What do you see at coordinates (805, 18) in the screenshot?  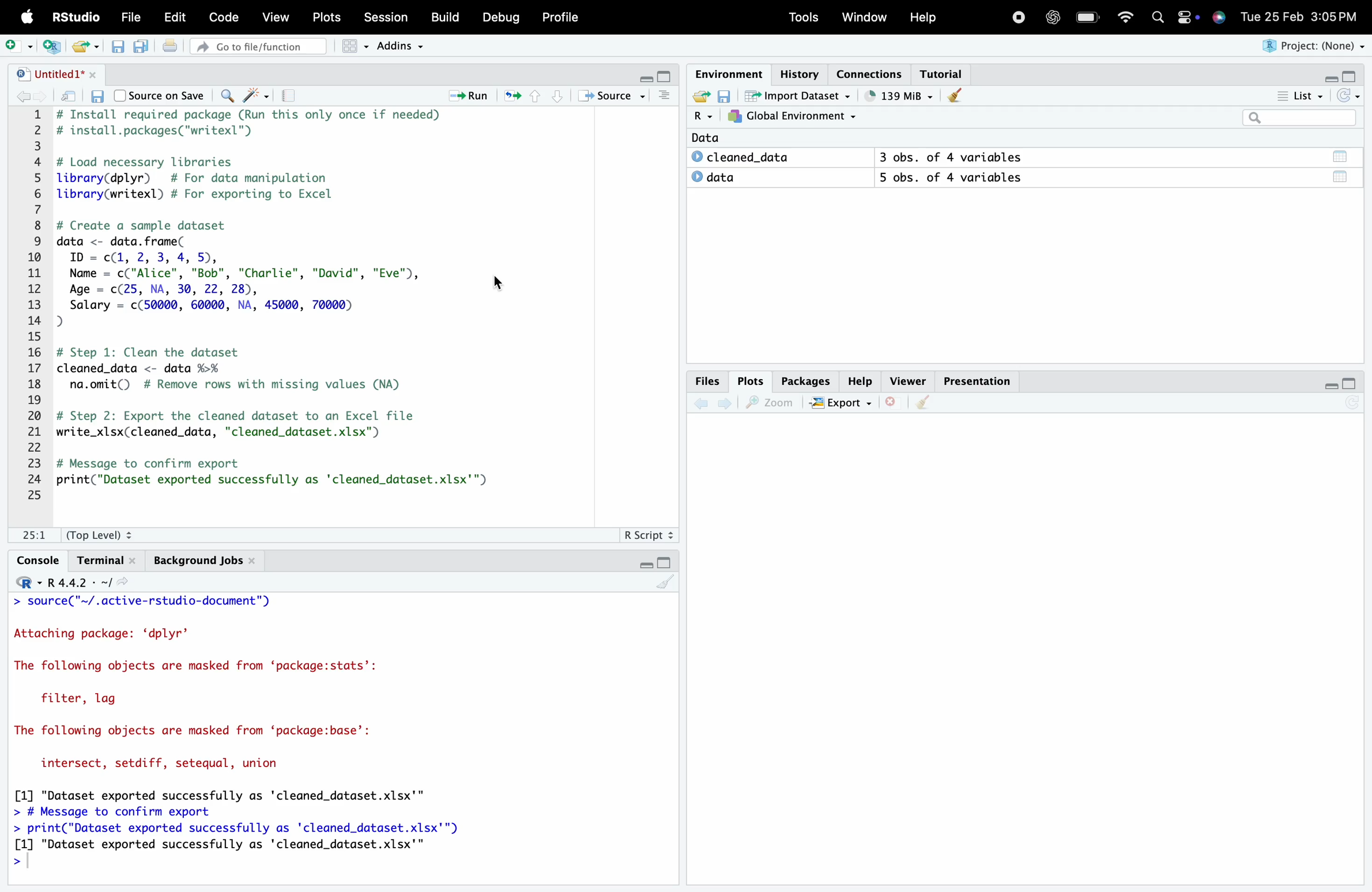 I see `Tools` at bounding box center [805, 18].